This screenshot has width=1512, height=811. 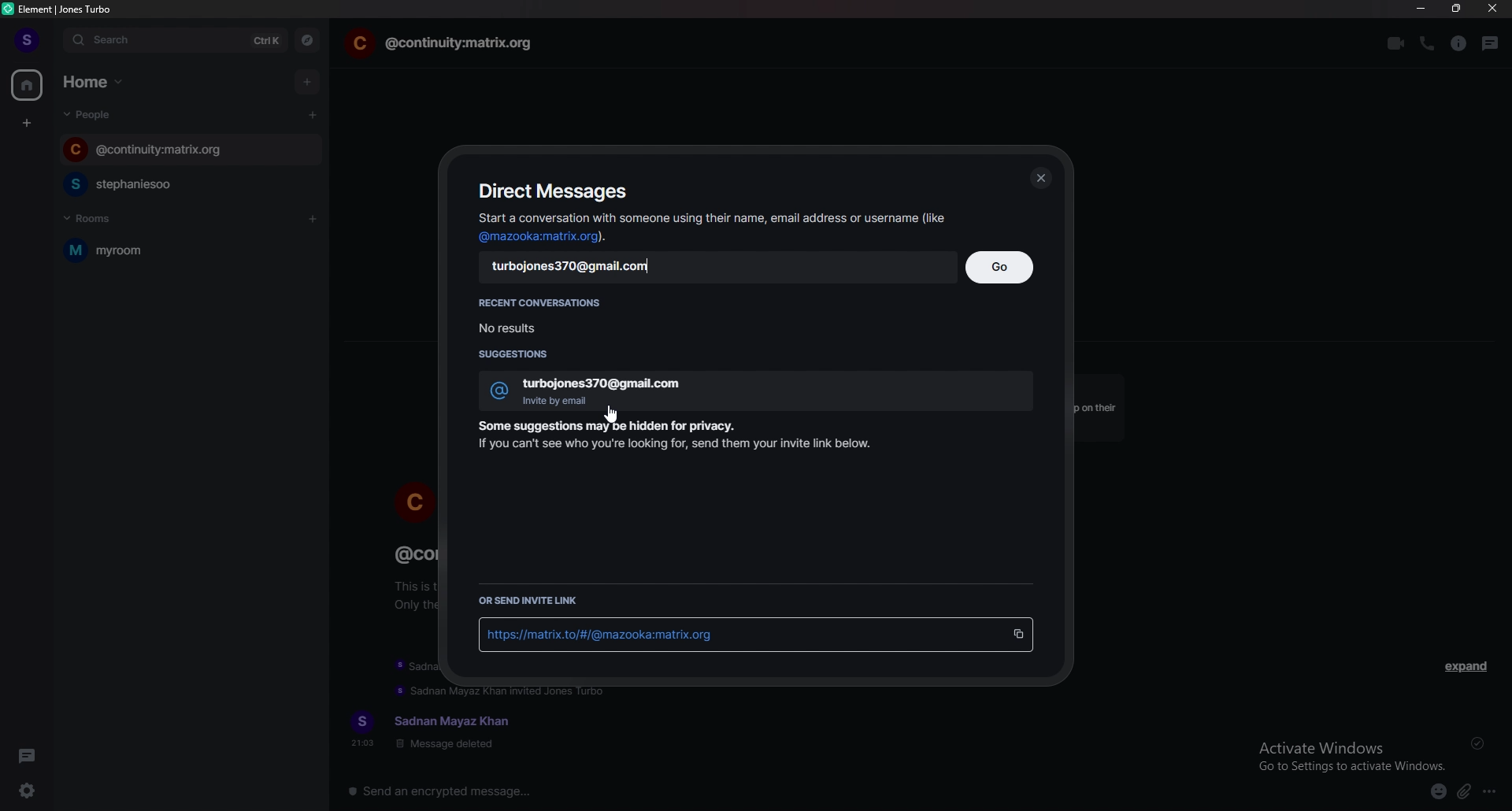 What do you see at coordinates (1479, 743) in the screenshot?
I see `delivered` at bounding box center [1479, 743].